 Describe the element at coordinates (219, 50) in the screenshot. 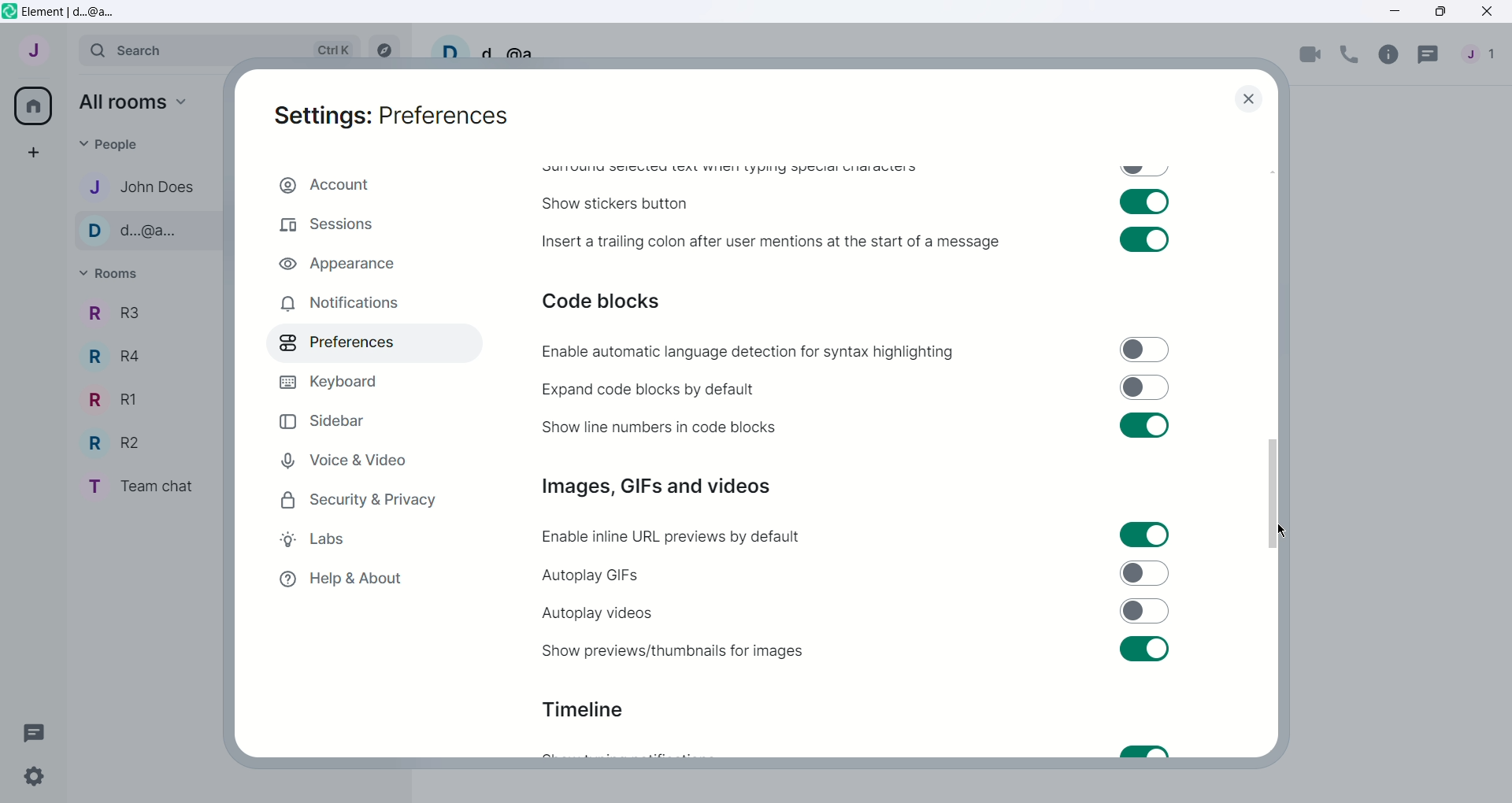

I see `Search bar` at that location.